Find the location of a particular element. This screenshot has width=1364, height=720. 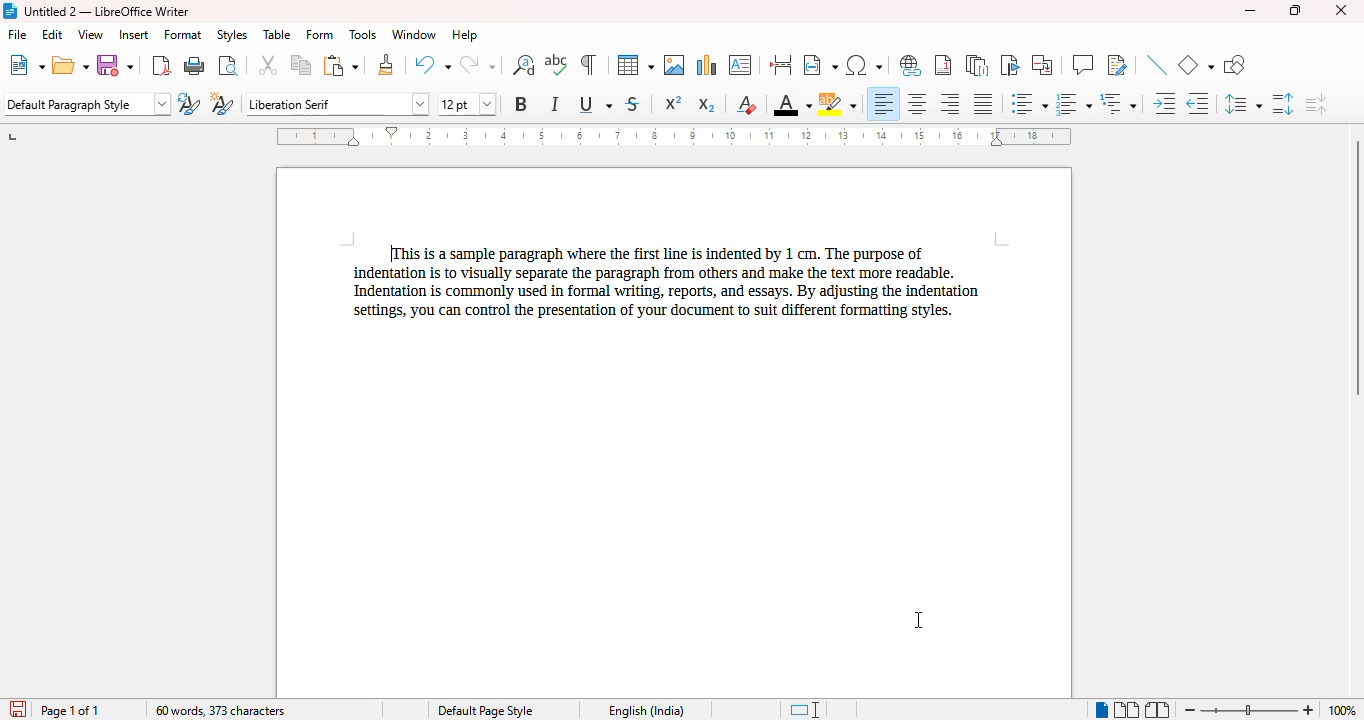

font size is located at coordinates (467, 104).